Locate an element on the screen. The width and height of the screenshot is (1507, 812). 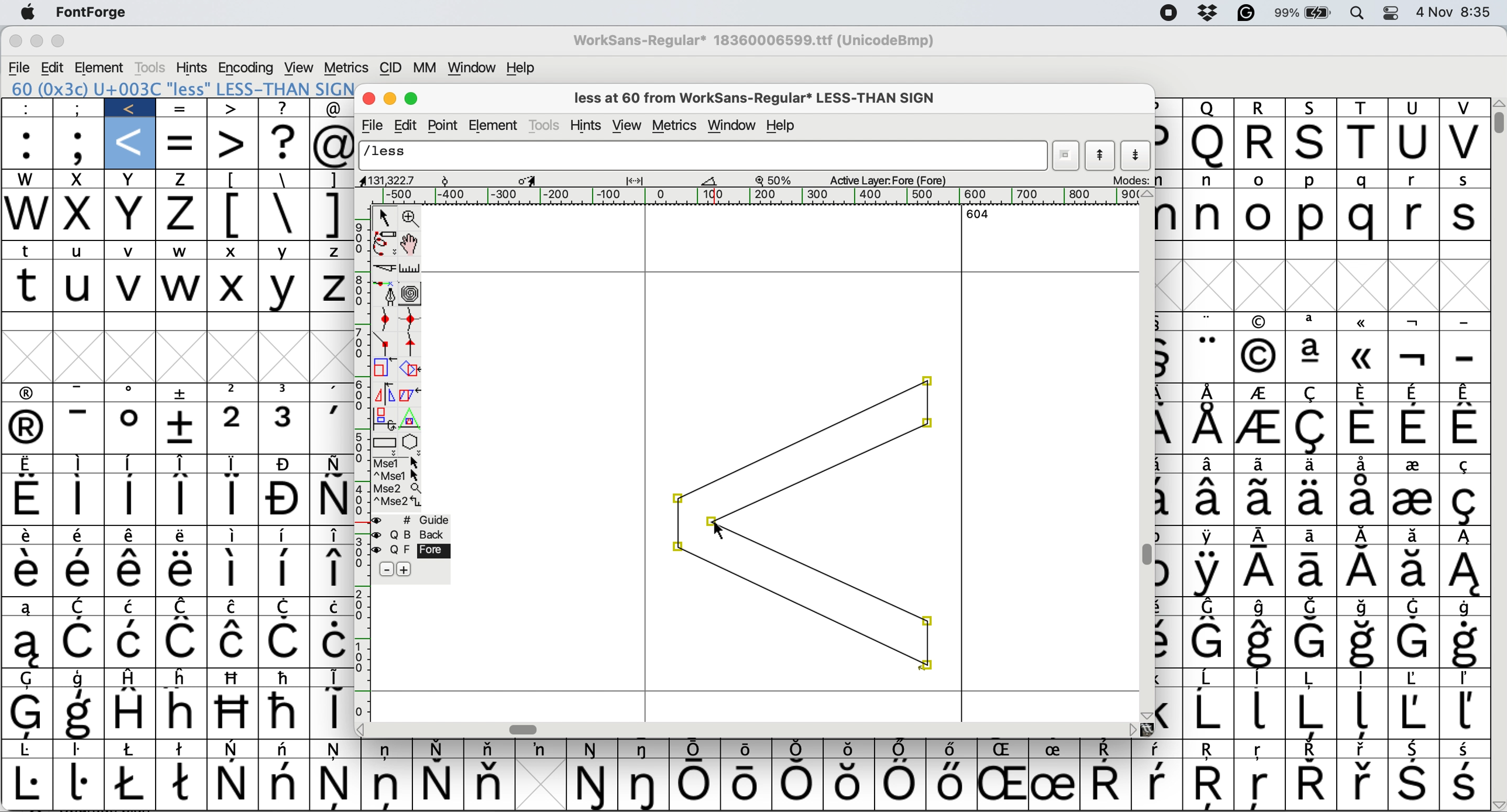
Symbol is located at coordinates (1210, 573).